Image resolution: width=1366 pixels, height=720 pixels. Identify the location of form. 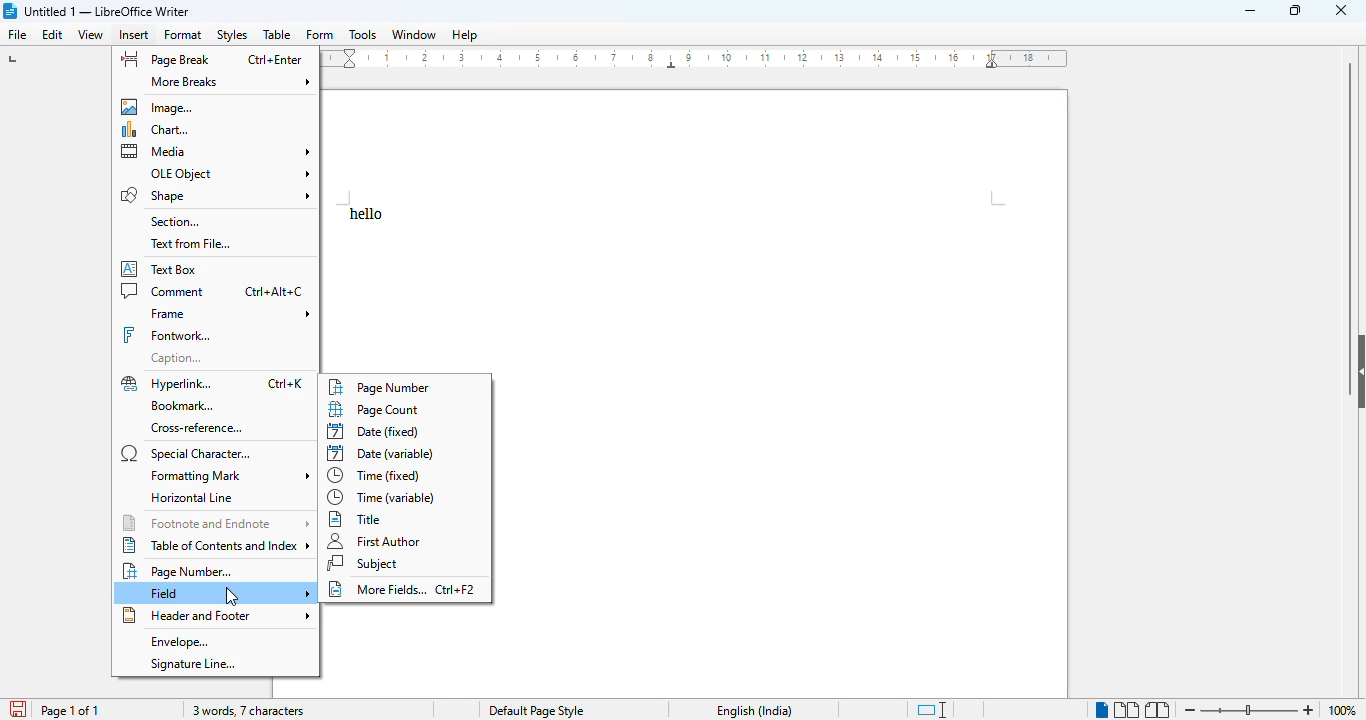
(320, 34).